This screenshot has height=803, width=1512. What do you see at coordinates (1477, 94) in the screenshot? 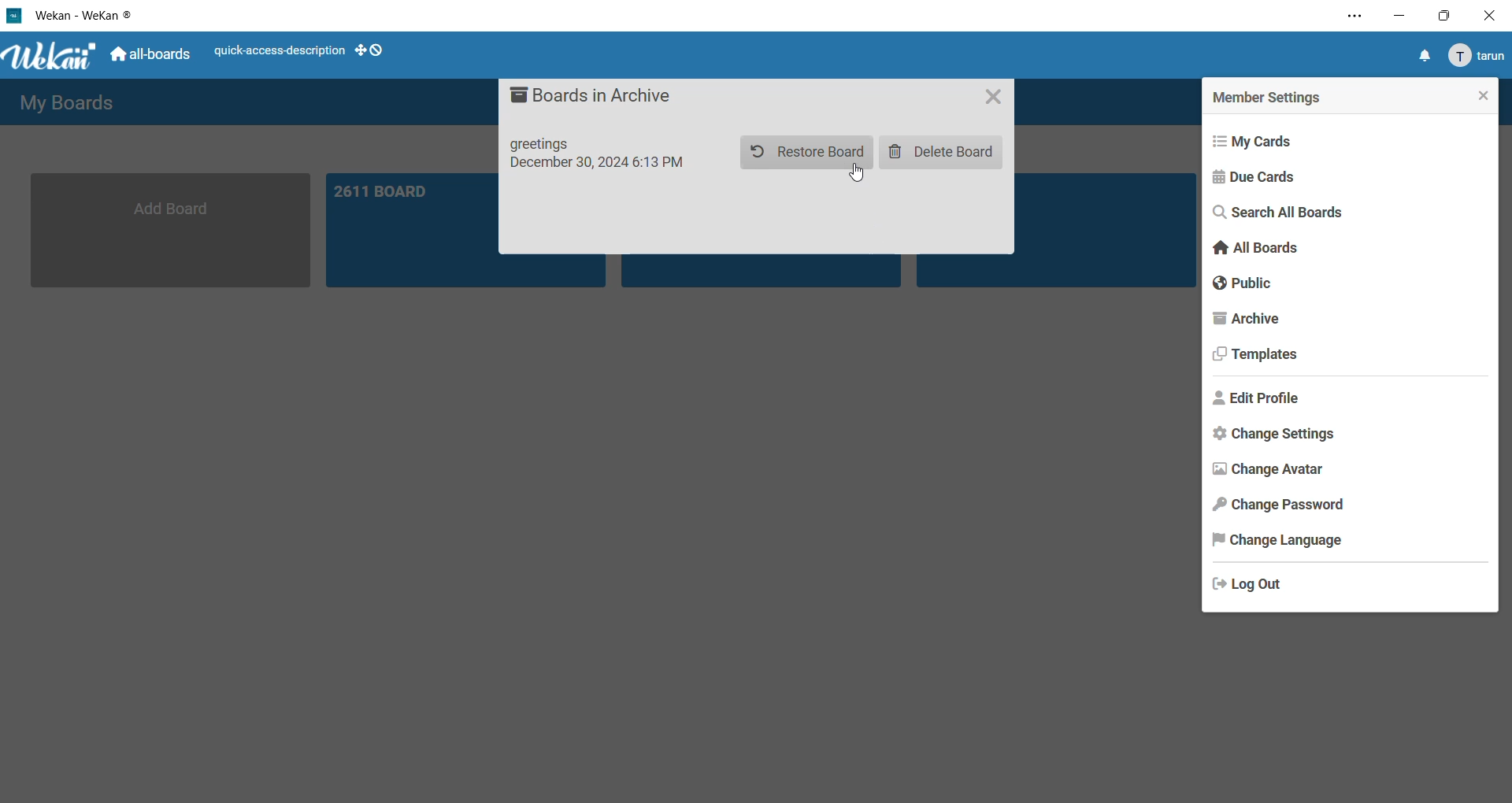
I see `close` at bounding box center [1477, 94].